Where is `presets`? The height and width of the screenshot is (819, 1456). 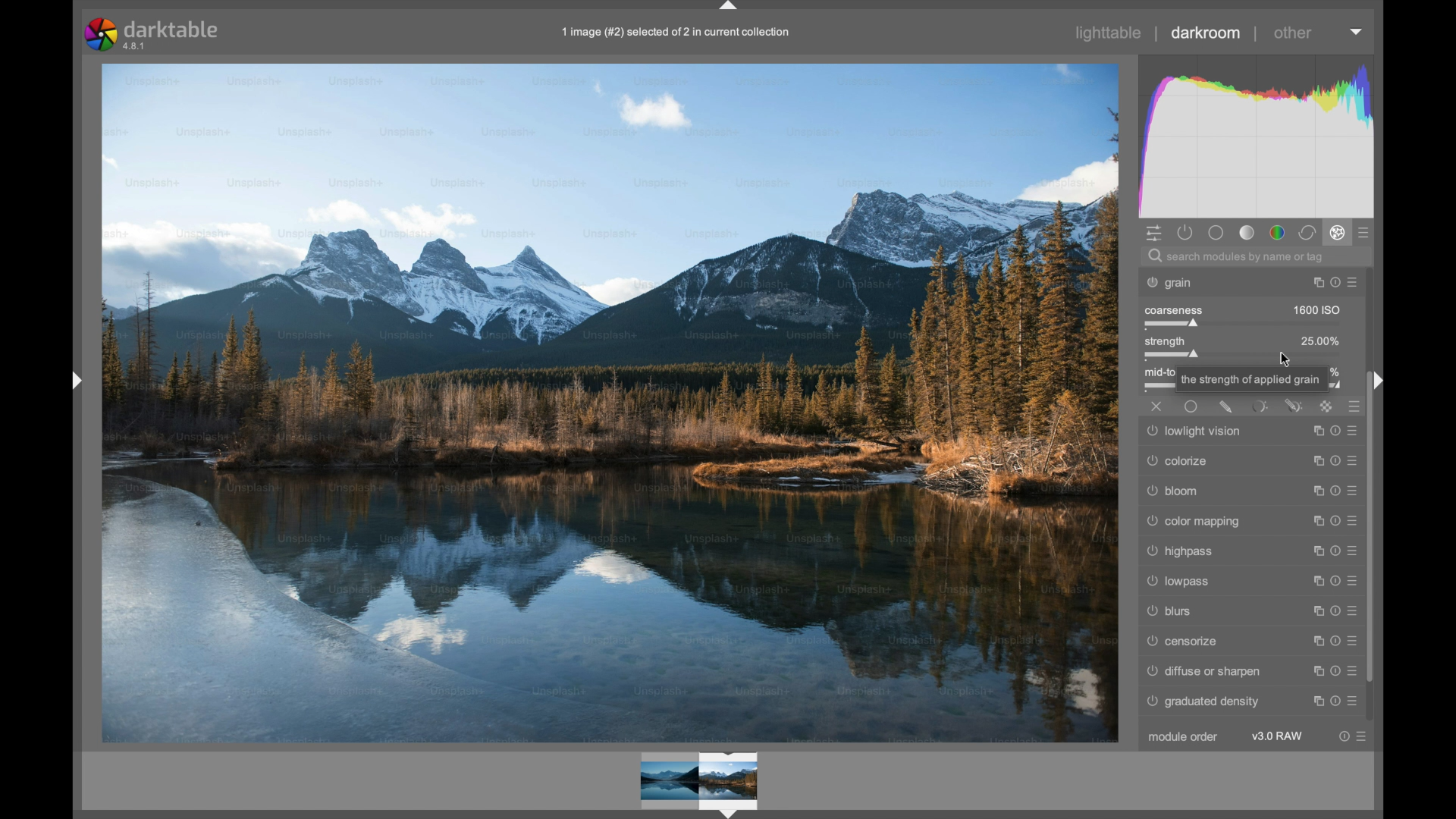
presets is located at coordinates (1364, 736).